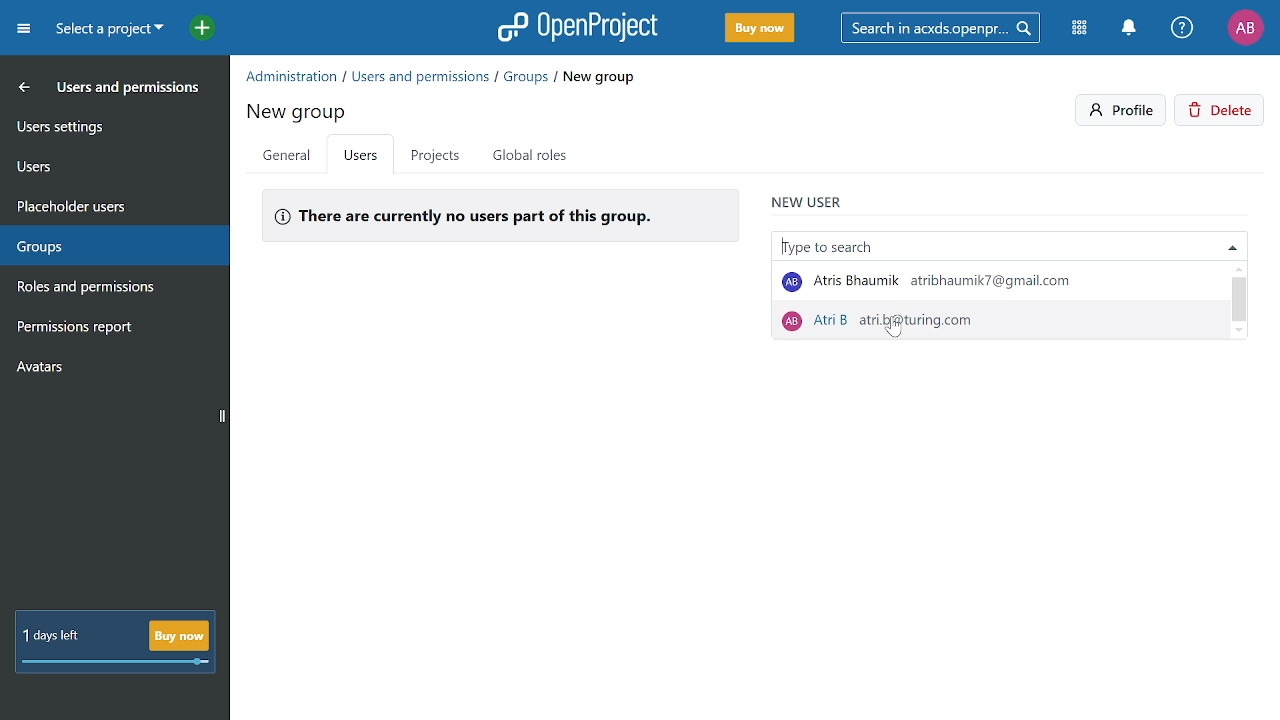 The image size is (1280, 720). What do you see at coordinates (1183, 29) in the screenshot?
I see `Help` at bounding box center [1183, 29].